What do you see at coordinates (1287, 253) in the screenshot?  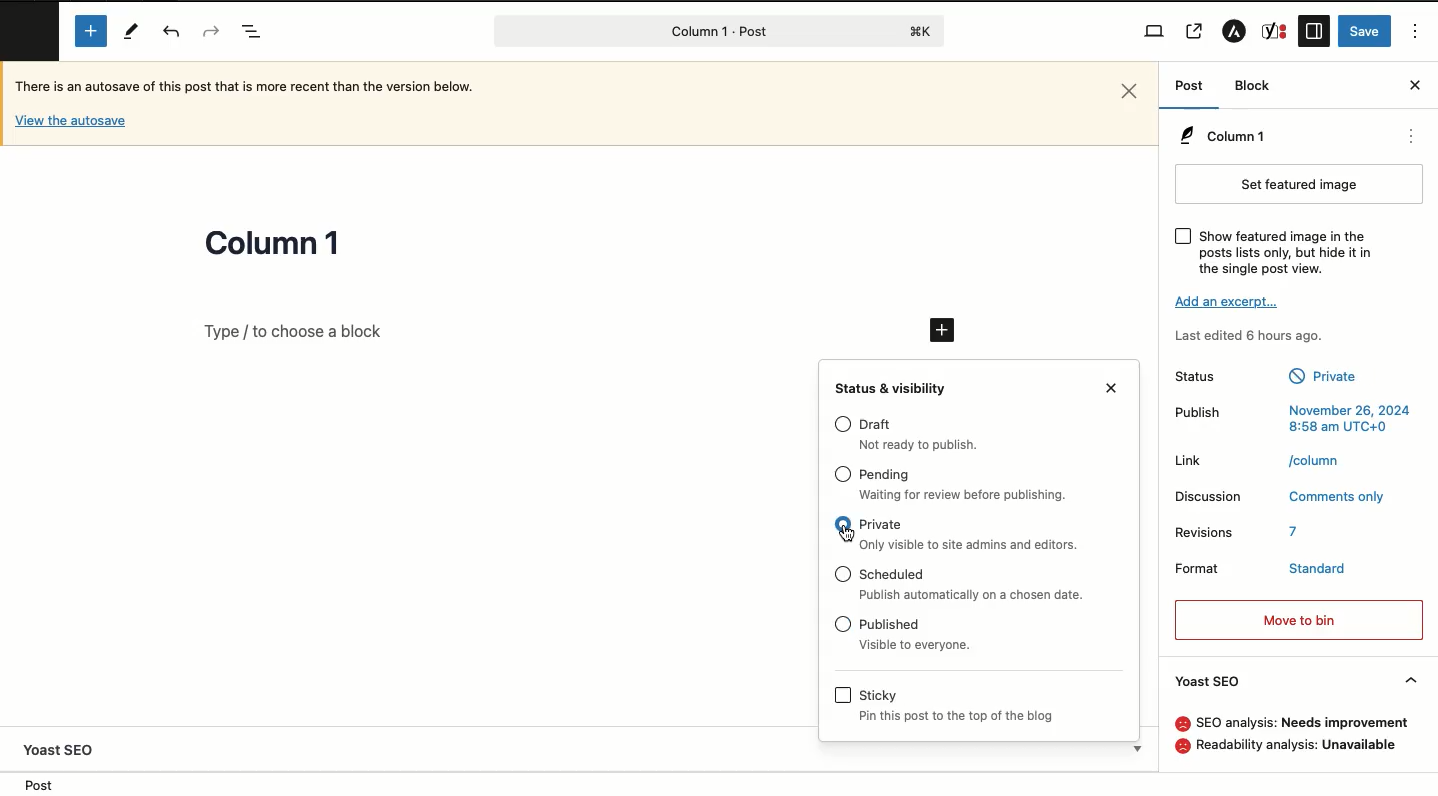 I see `show featured image` at bounding box center [1287, 253].